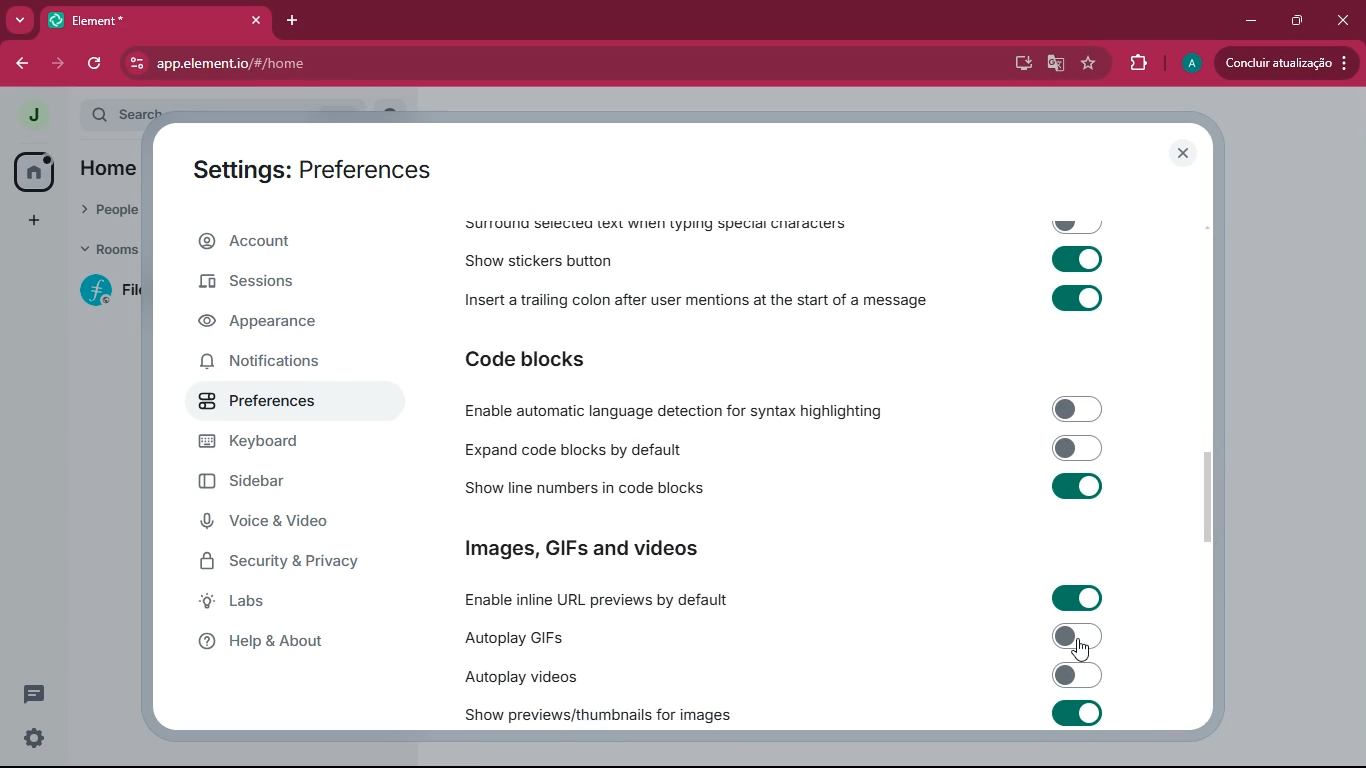 The height and width of the screenshot is (768, 1366). I want to click on Enable inline URL previews by default, so click(779, 597).